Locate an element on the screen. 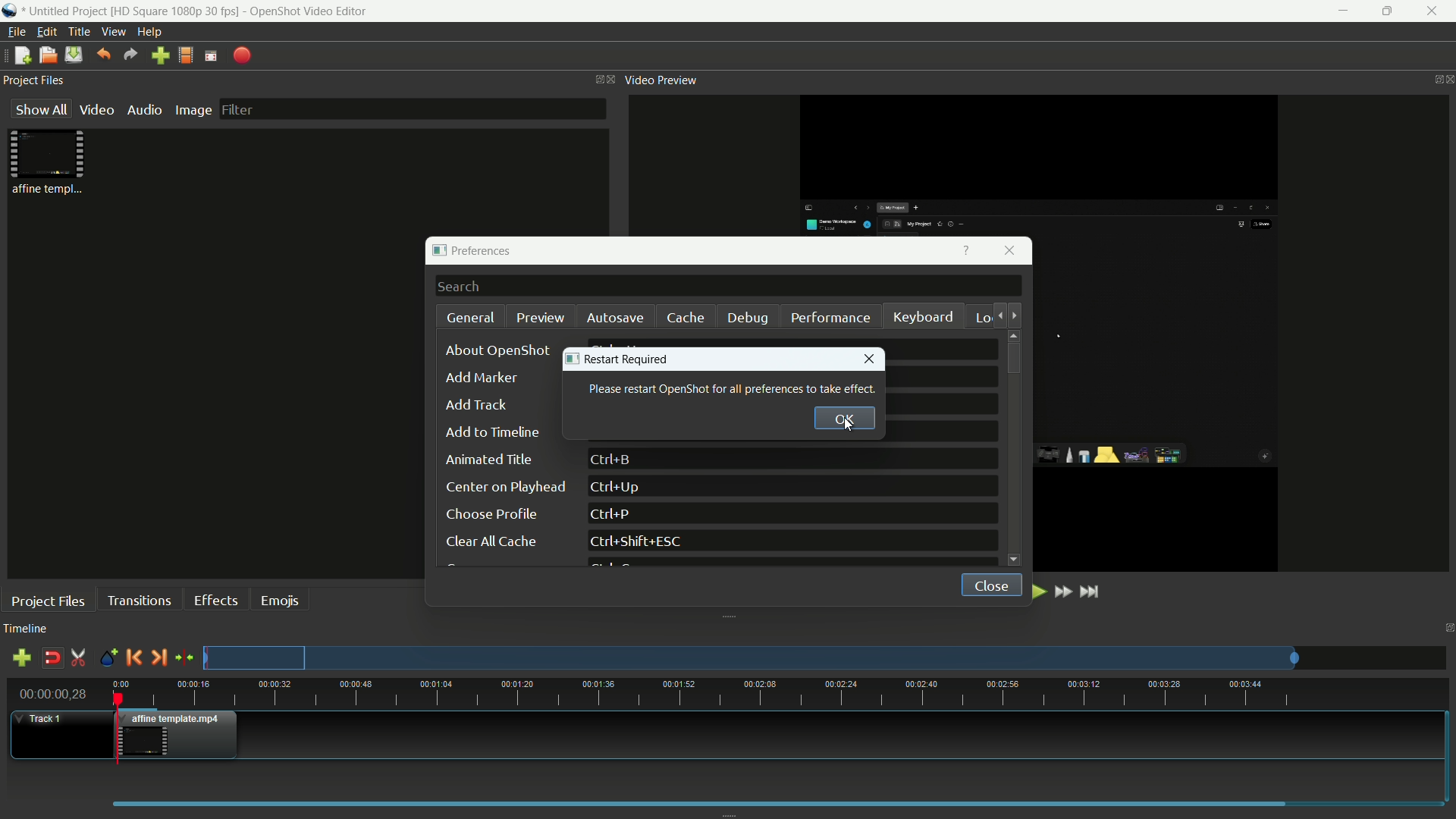 The width and height of the screenshot is (1456, 819). close timeline is located at coordinates (1447, 628).